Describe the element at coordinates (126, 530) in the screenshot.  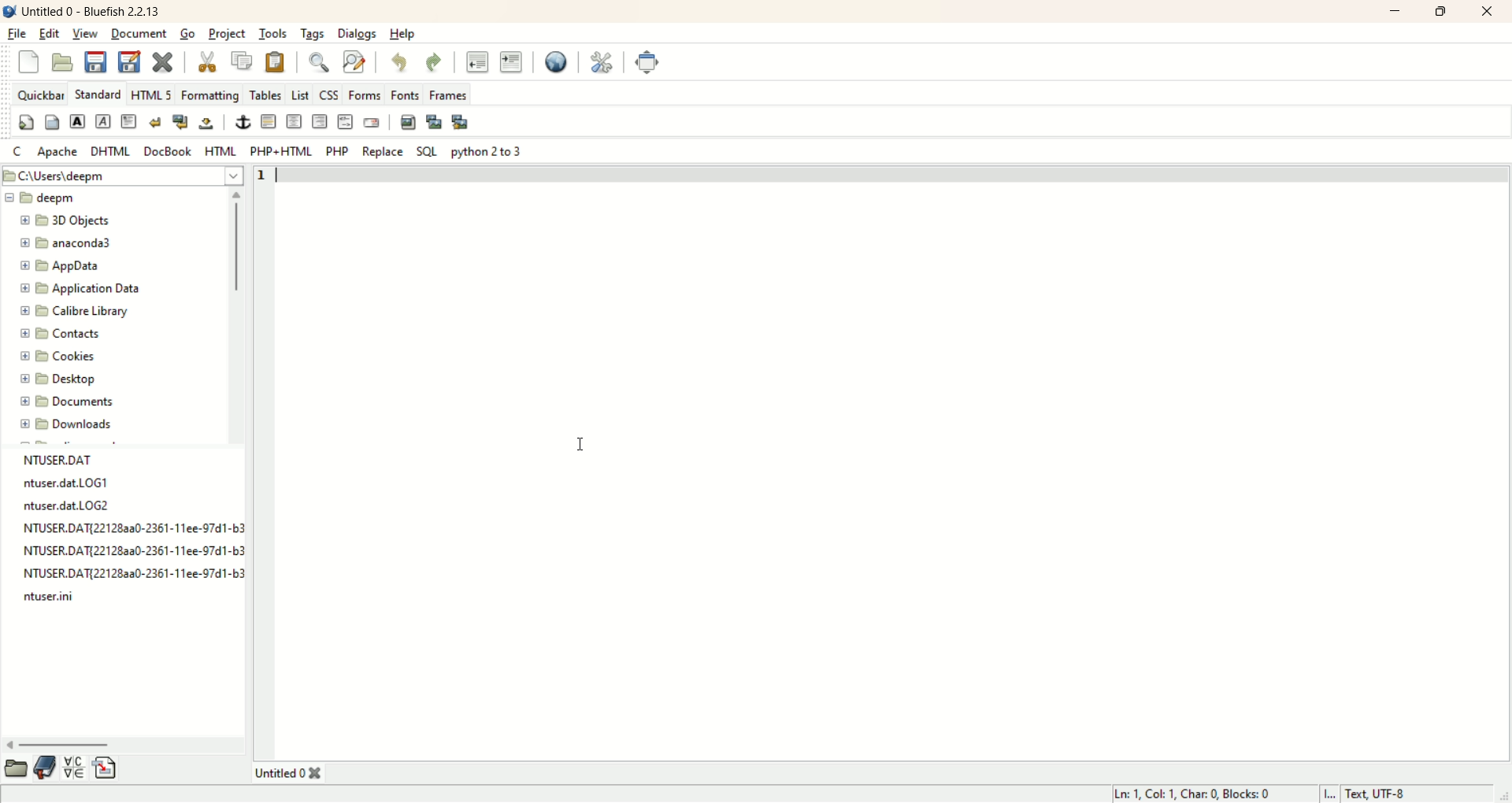
I see `text` at that location.